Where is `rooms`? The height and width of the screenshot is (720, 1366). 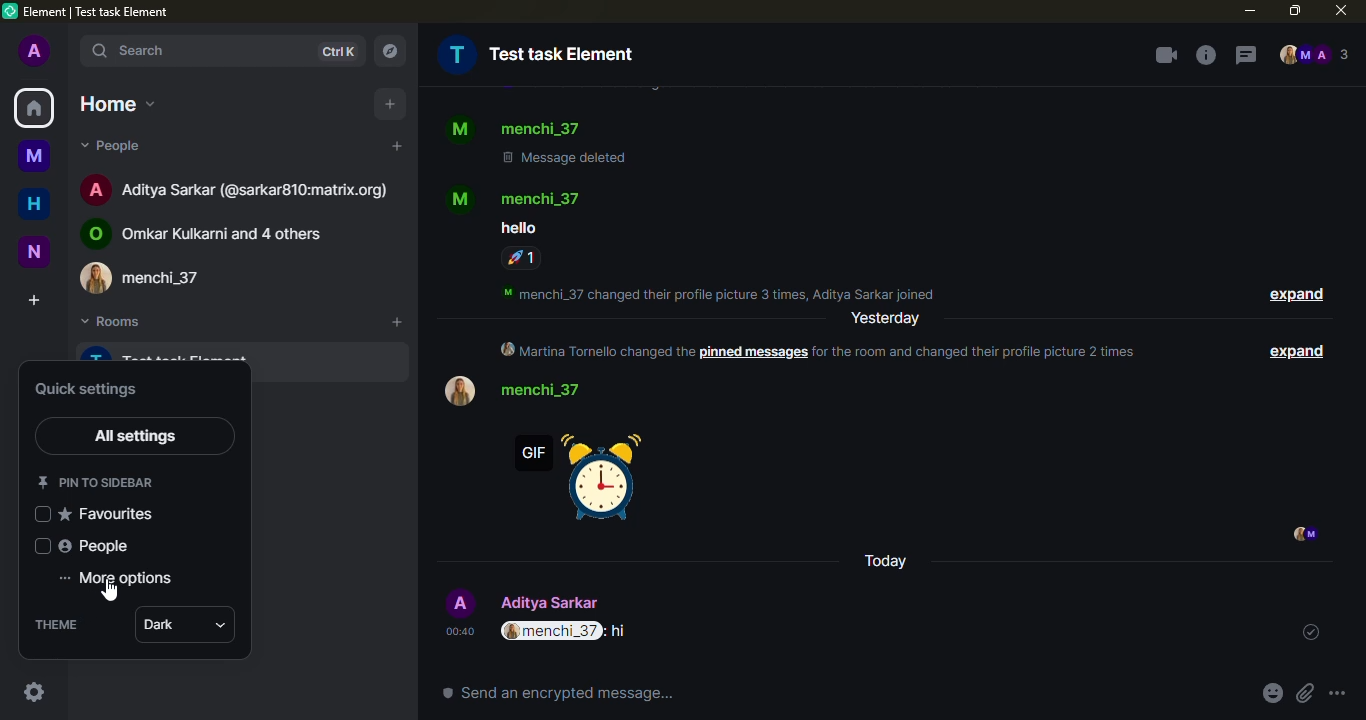
rooms is located at coordinates (110, 324).